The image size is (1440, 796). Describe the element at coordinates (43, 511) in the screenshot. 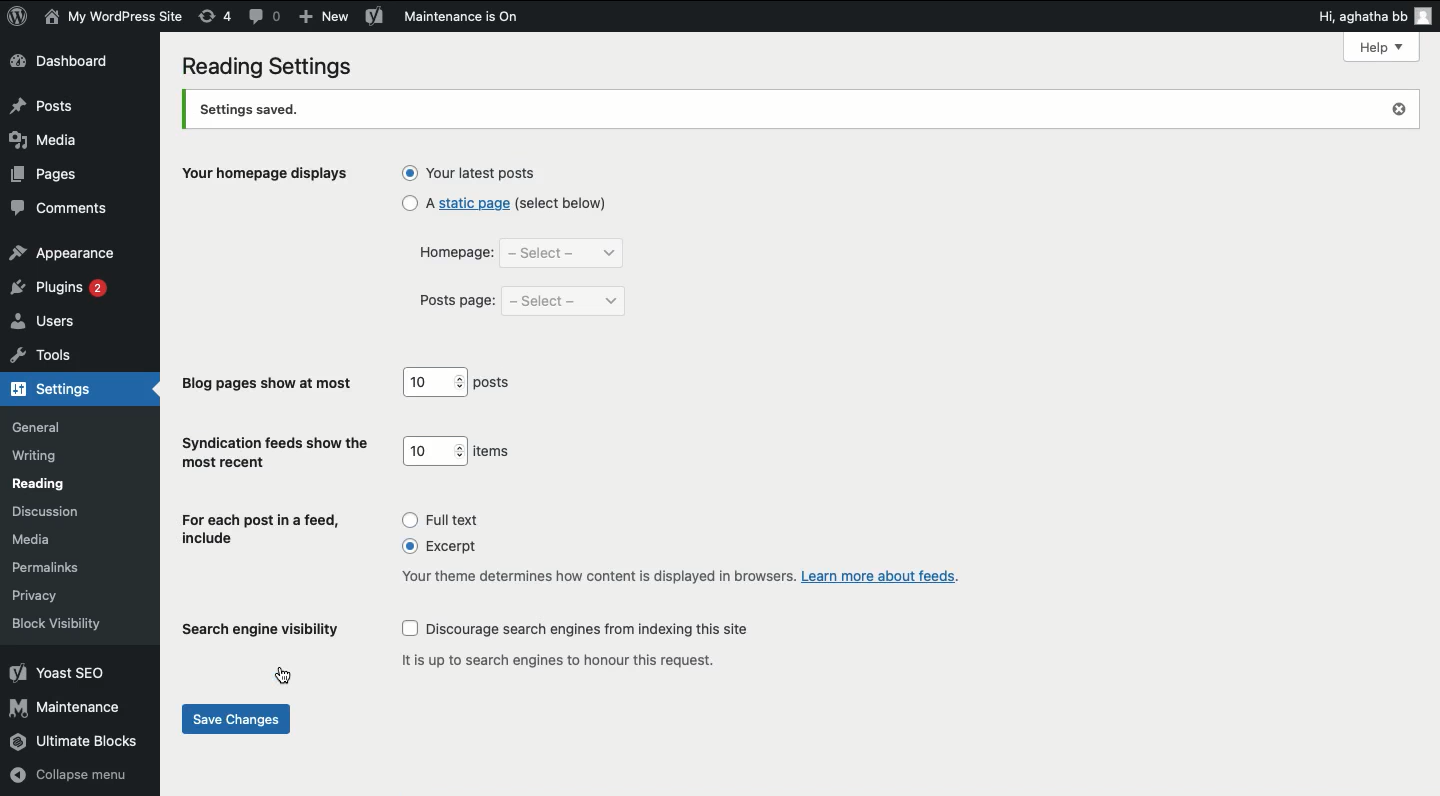

I see `discussion` at that location.